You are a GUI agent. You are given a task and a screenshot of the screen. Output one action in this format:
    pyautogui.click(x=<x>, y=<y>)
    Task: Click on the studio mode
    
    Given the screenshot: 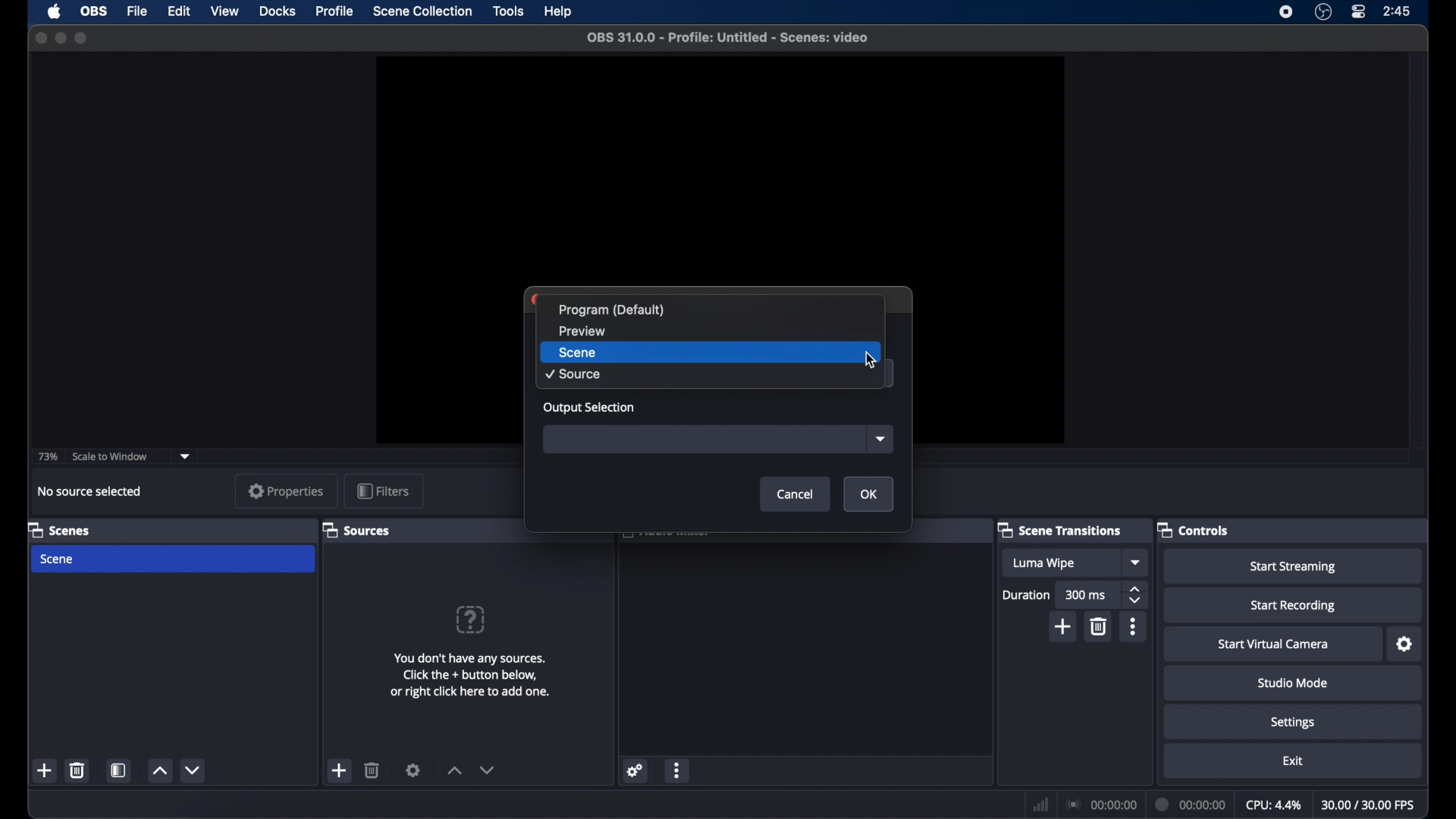 What is the action you would take?
    pyautogui.click(x=1293, y=682)
    